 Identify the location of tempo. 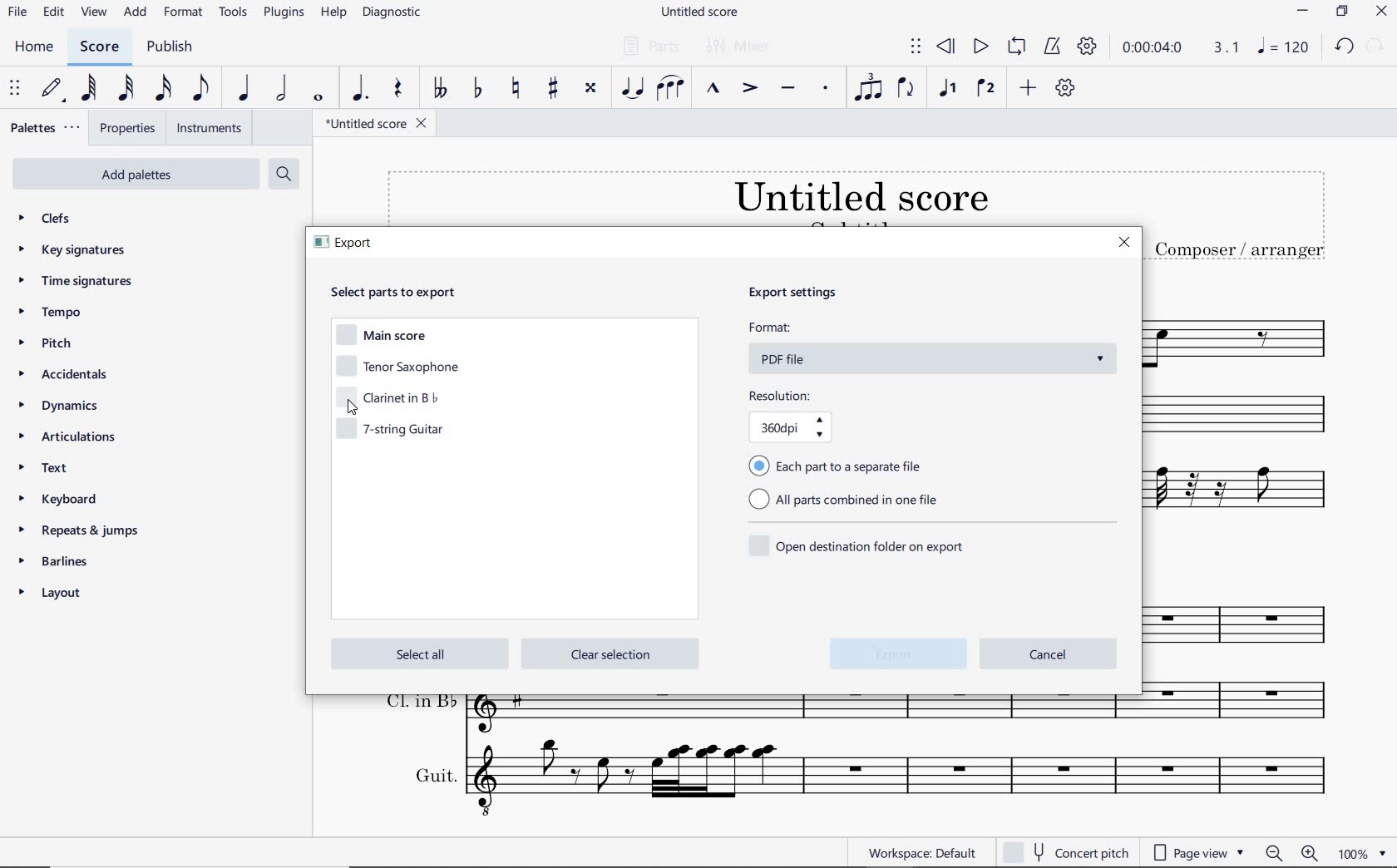
(52, 313).